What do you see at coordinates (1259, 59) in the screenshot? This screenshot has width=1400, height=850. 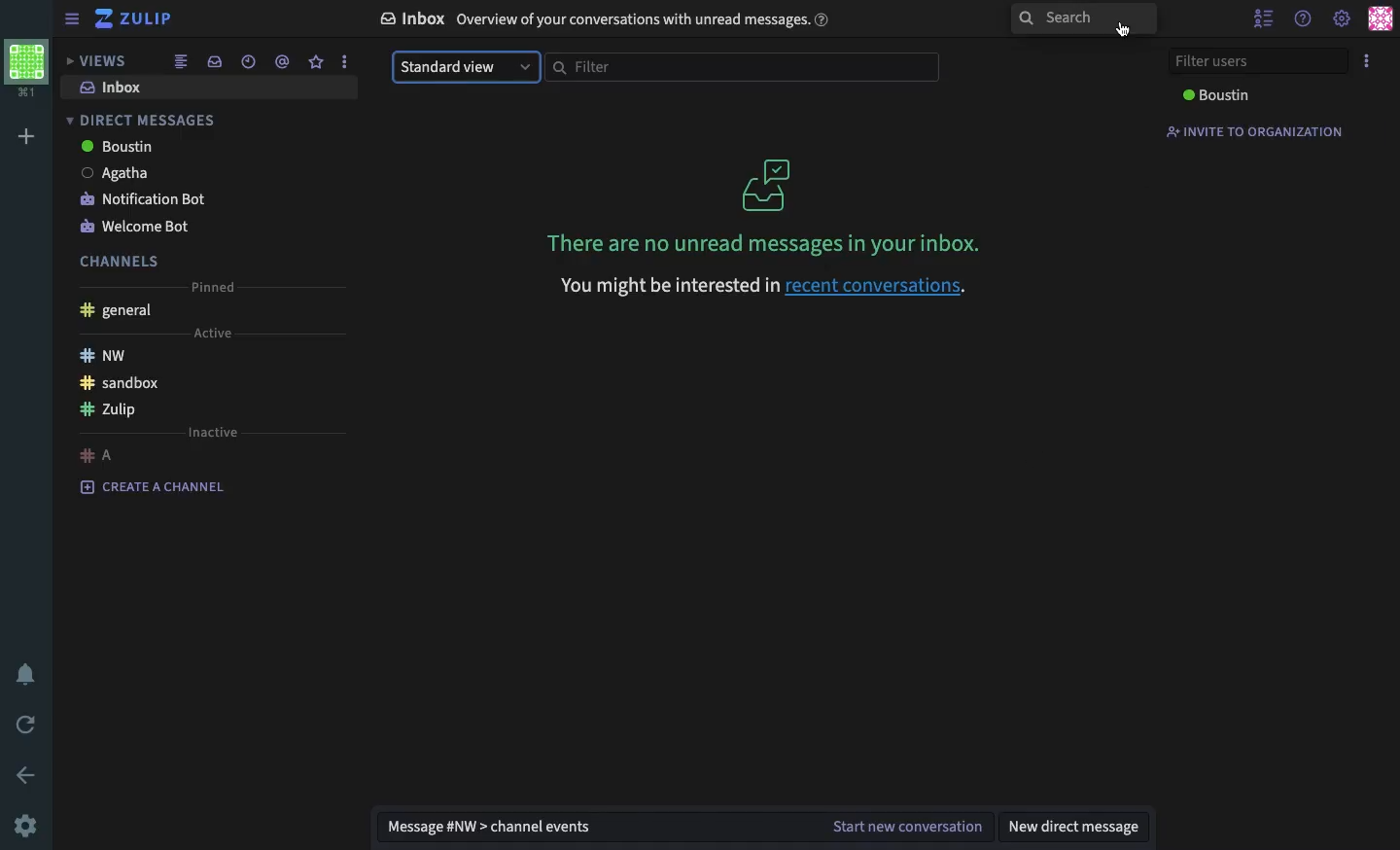 I see `filter users ` at bounding box center [1259, 59].